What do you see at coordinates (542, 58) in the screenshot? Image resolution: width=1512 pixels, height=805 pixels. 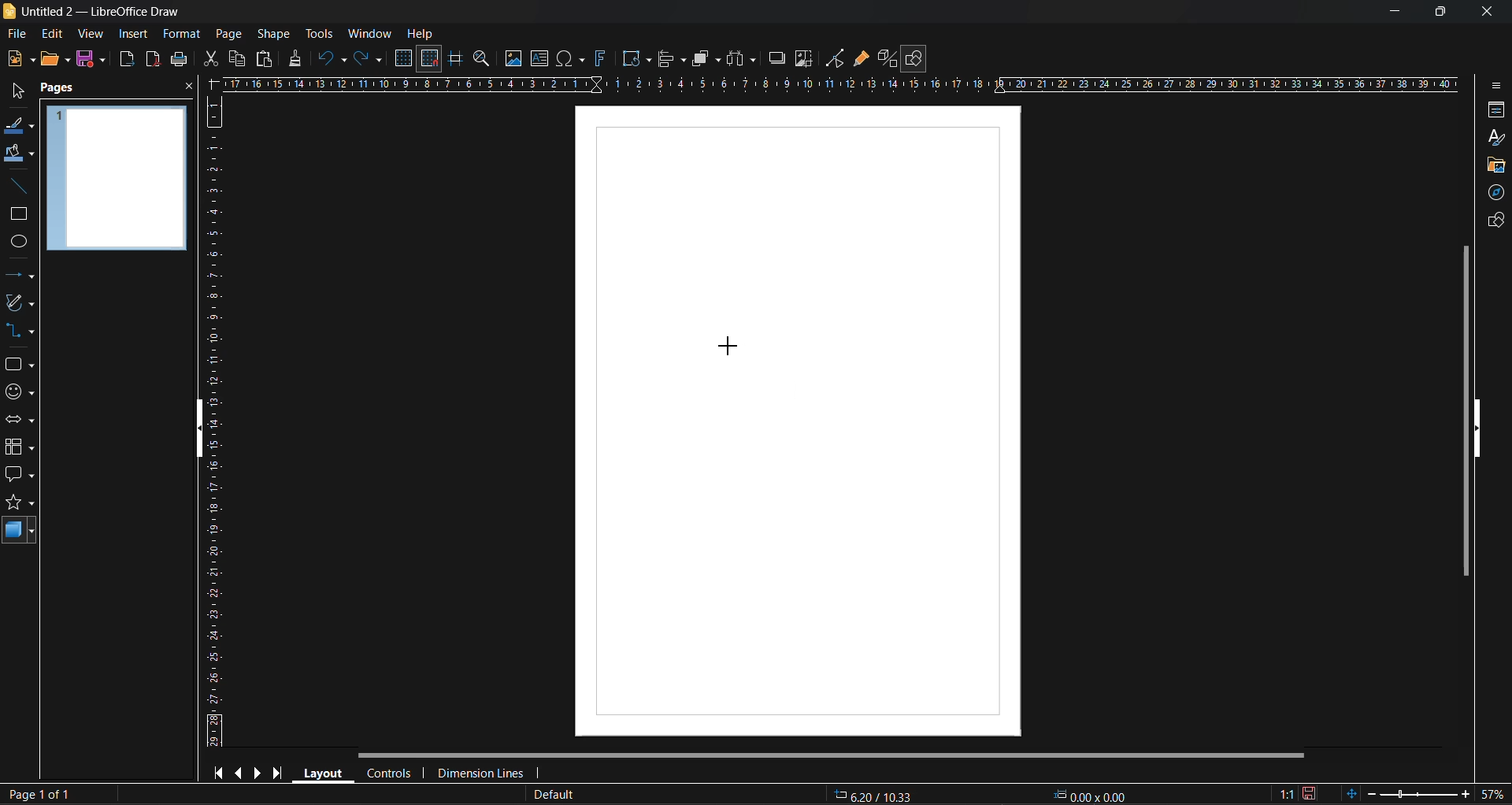 I see `textbox` at bounding box center [542, 58].